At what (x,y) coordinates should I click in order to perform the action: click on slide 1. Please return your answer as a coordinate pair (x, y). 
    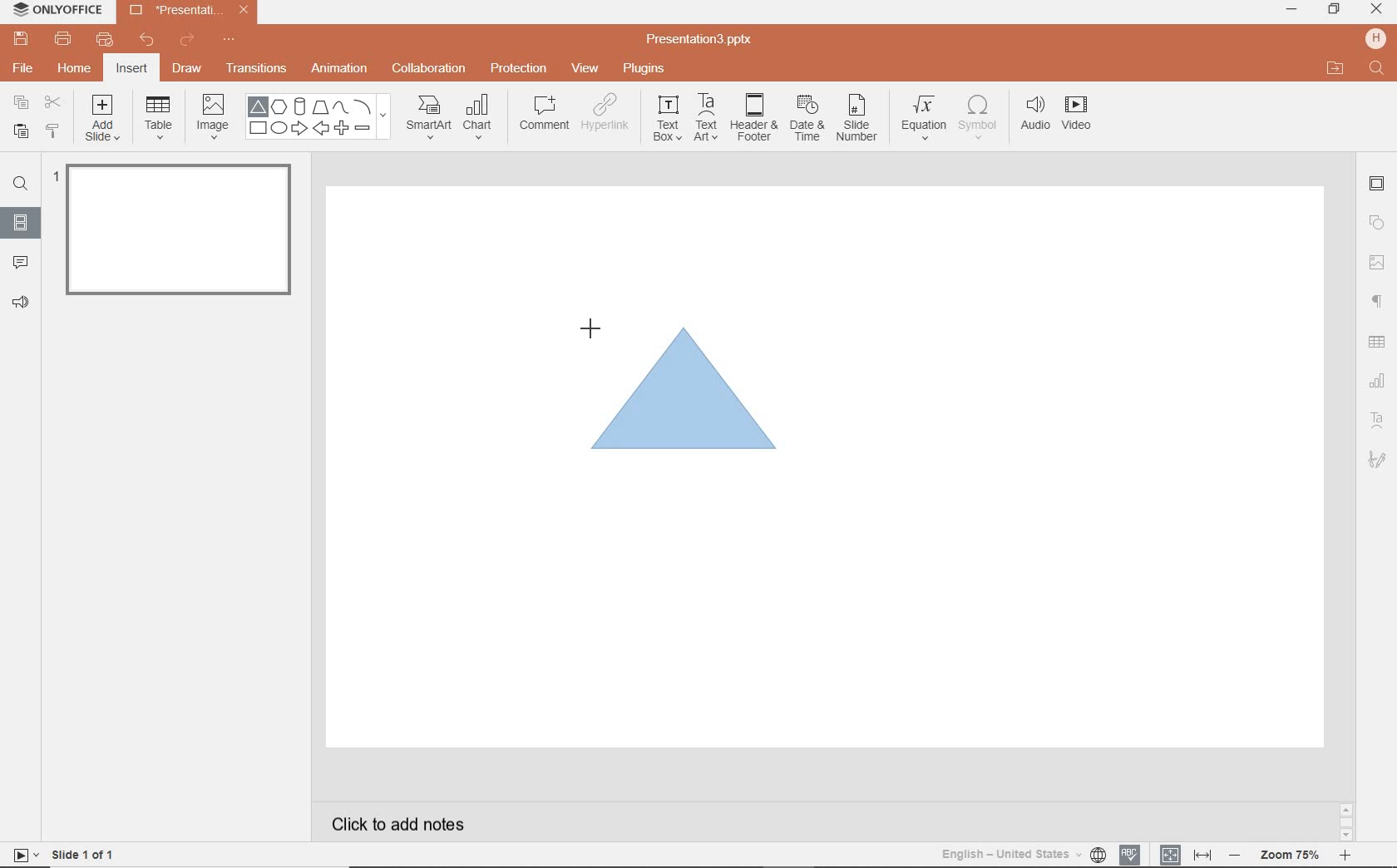
    Looking at the image, I should click on (184, 233).